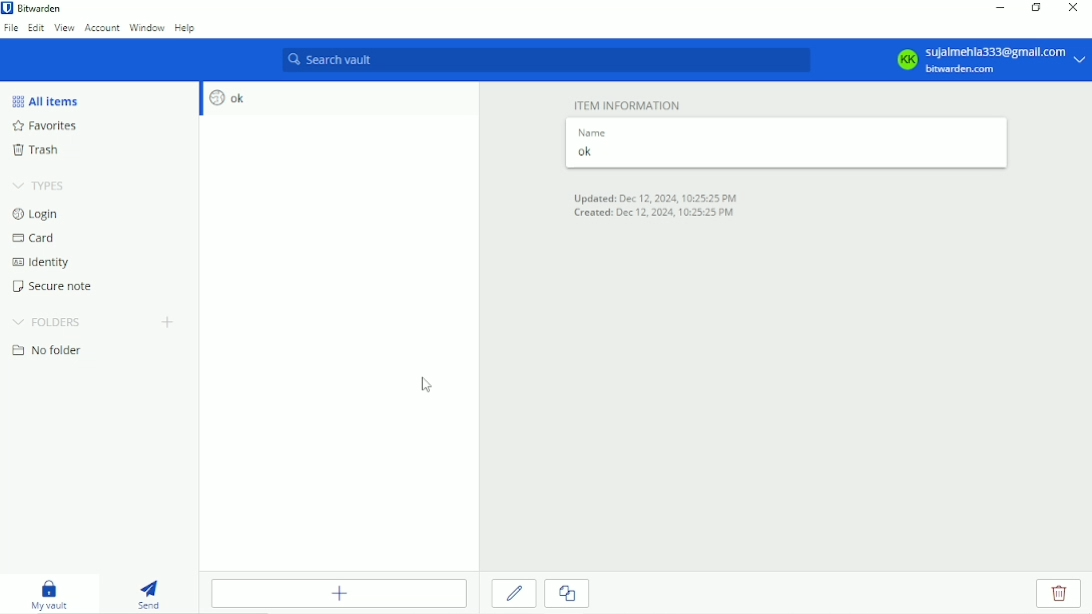 Image resolution: width=1092 pixels, height=614 pixels. I want to click on Edit, so click(36, 27).